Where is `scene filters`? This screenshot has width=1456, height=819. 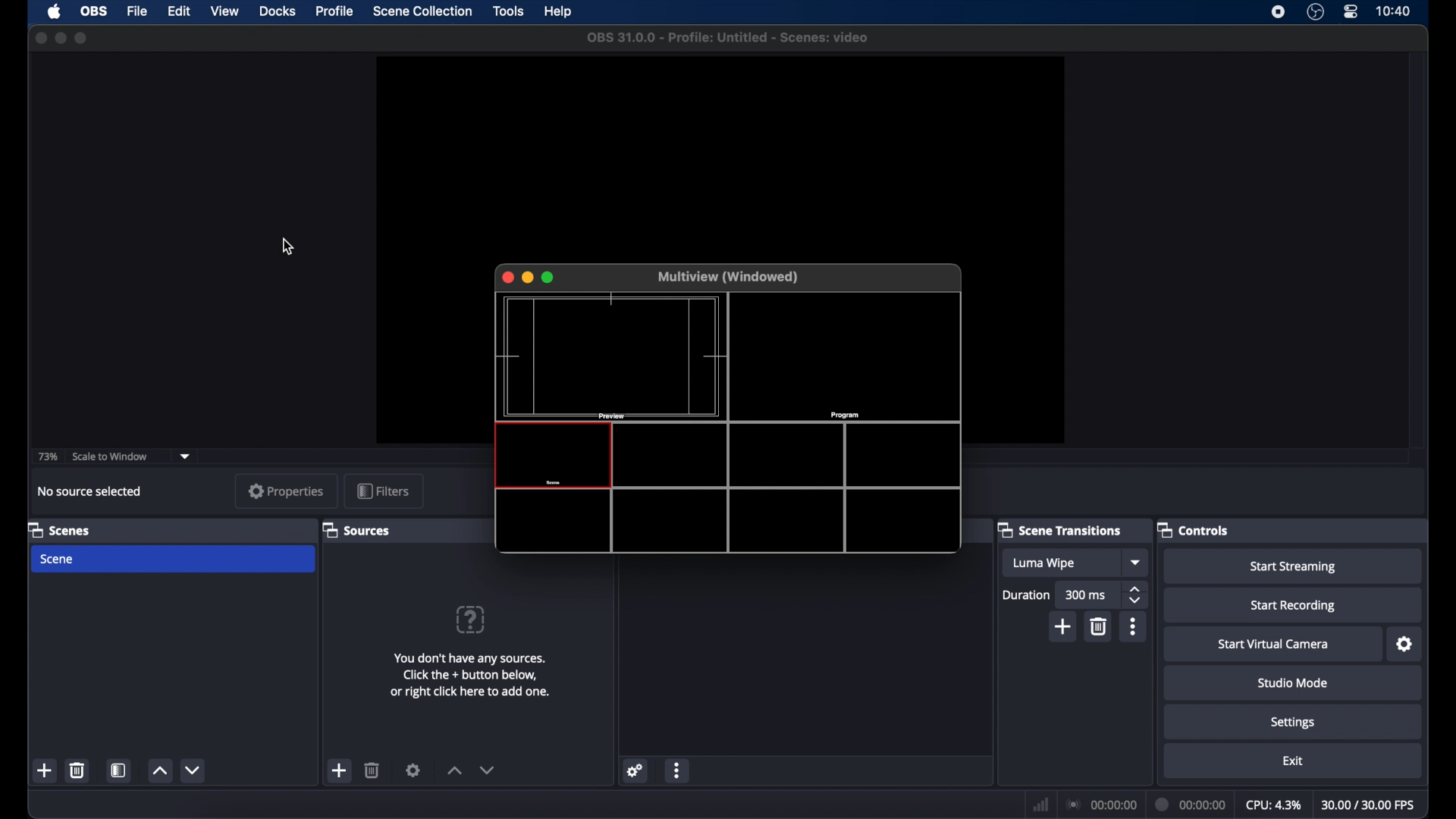 scene filters is located at coordinates (118, 770).